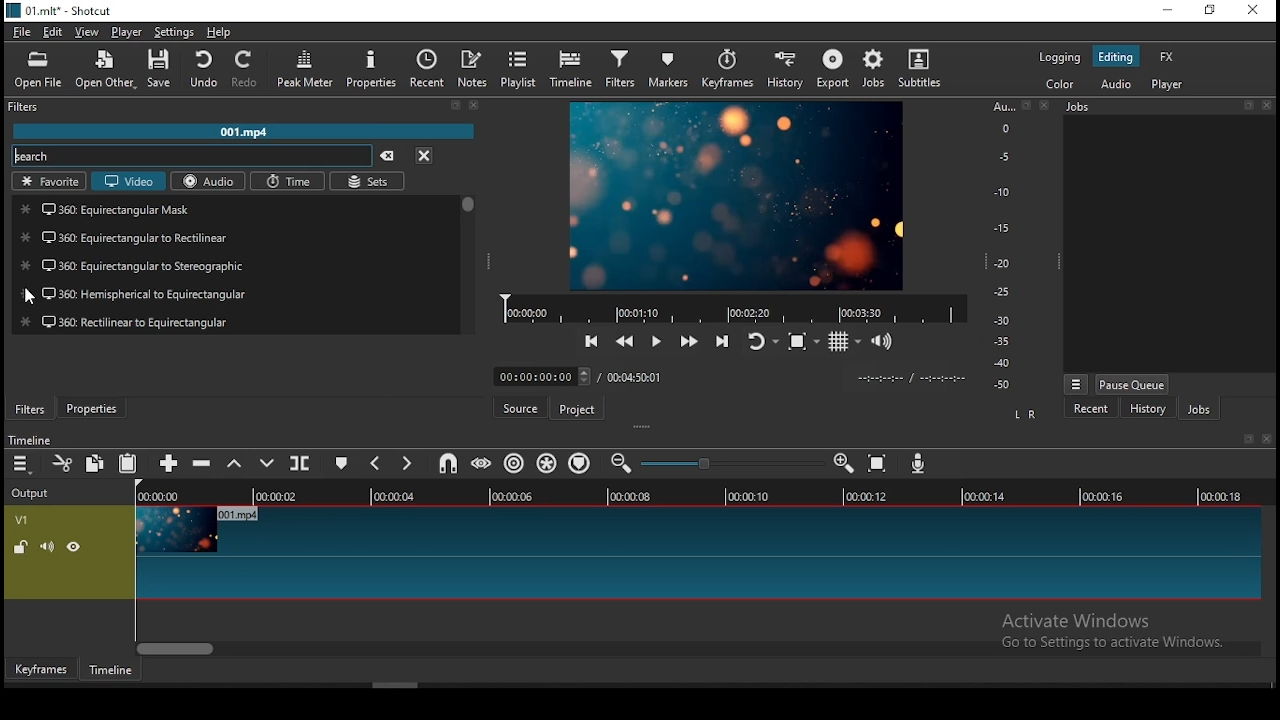 This screenshot has height=720, width=1280. Describe the element at coordinates (35, 409) in the screenshot. I see `filters` at that location.